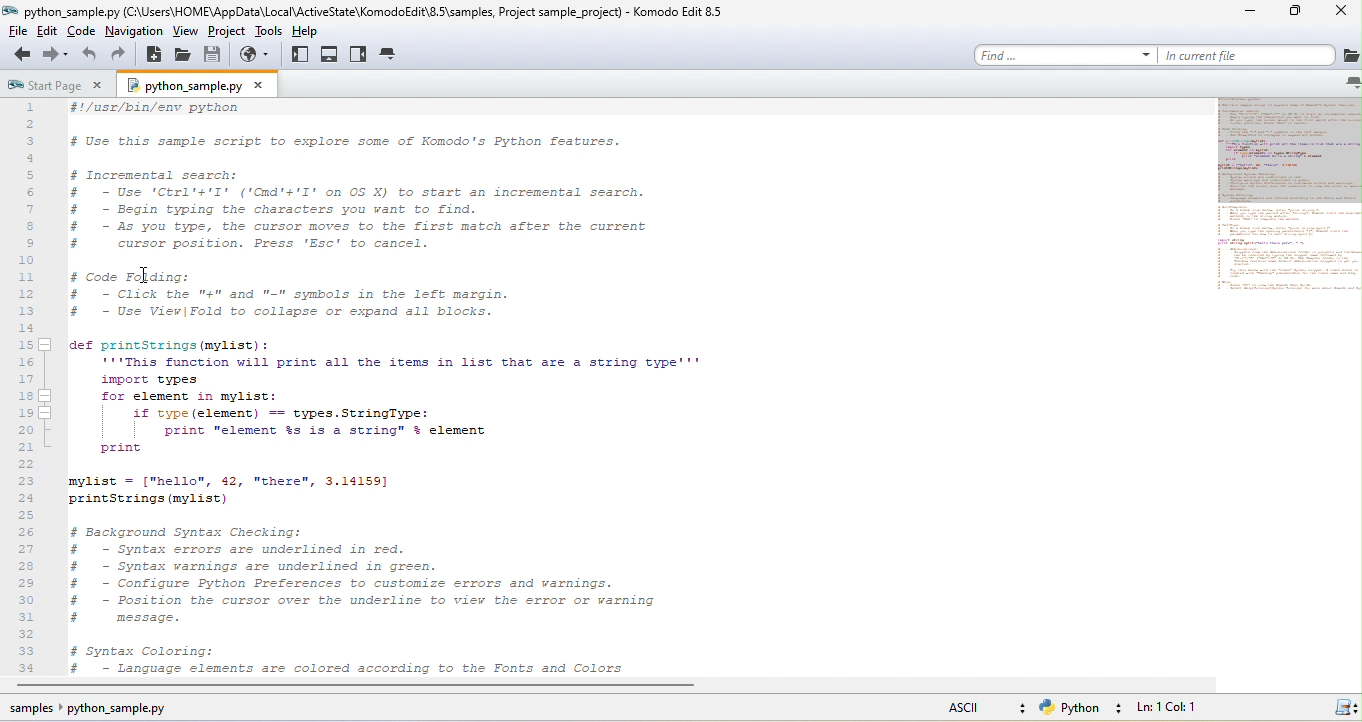 This screenshot has width=1362, height=722. I want to click on start page, so click(60, 85).